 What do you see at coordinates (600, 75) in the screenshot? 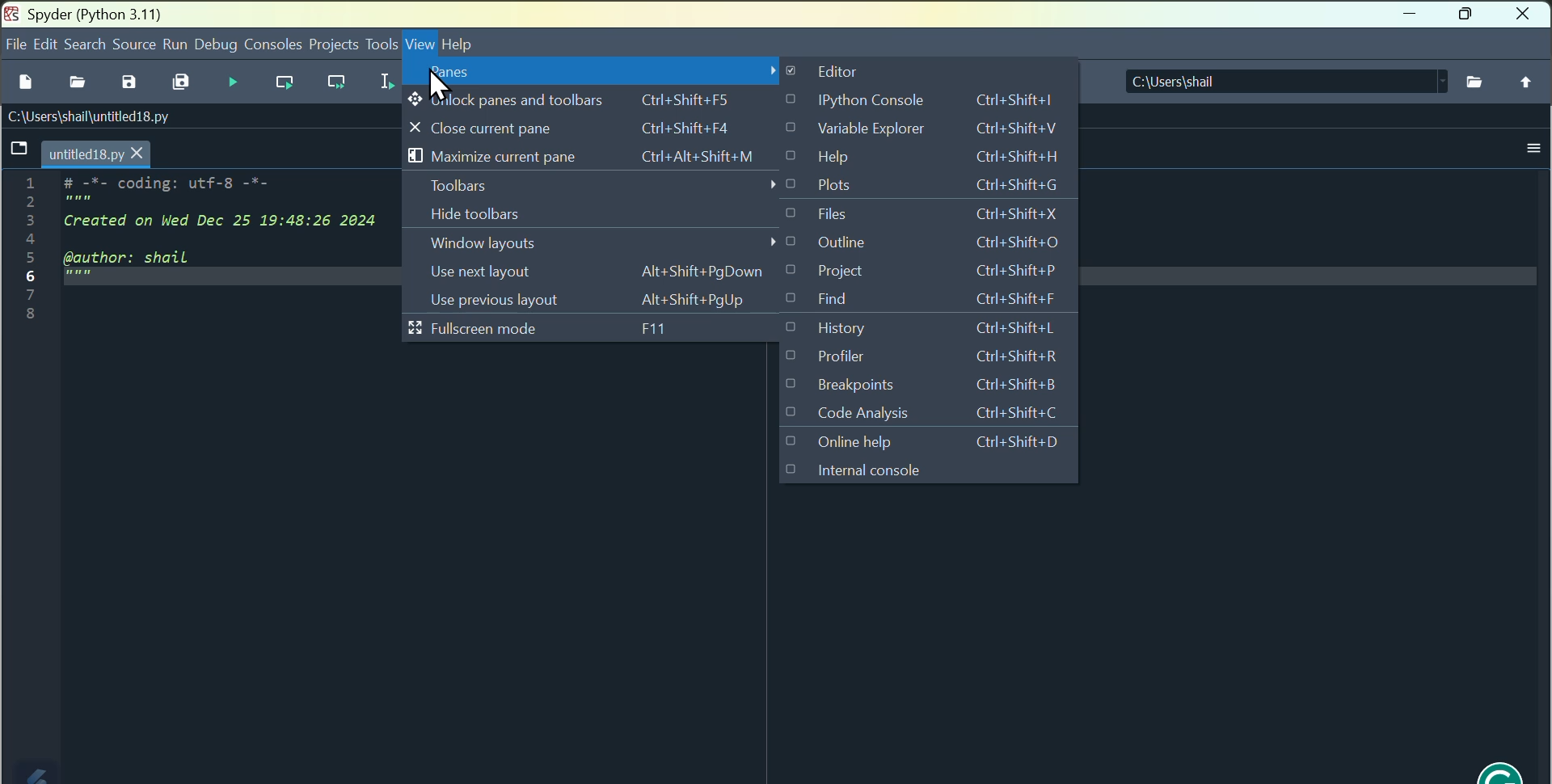
I see `Panes` at bounding box center [600, 75].